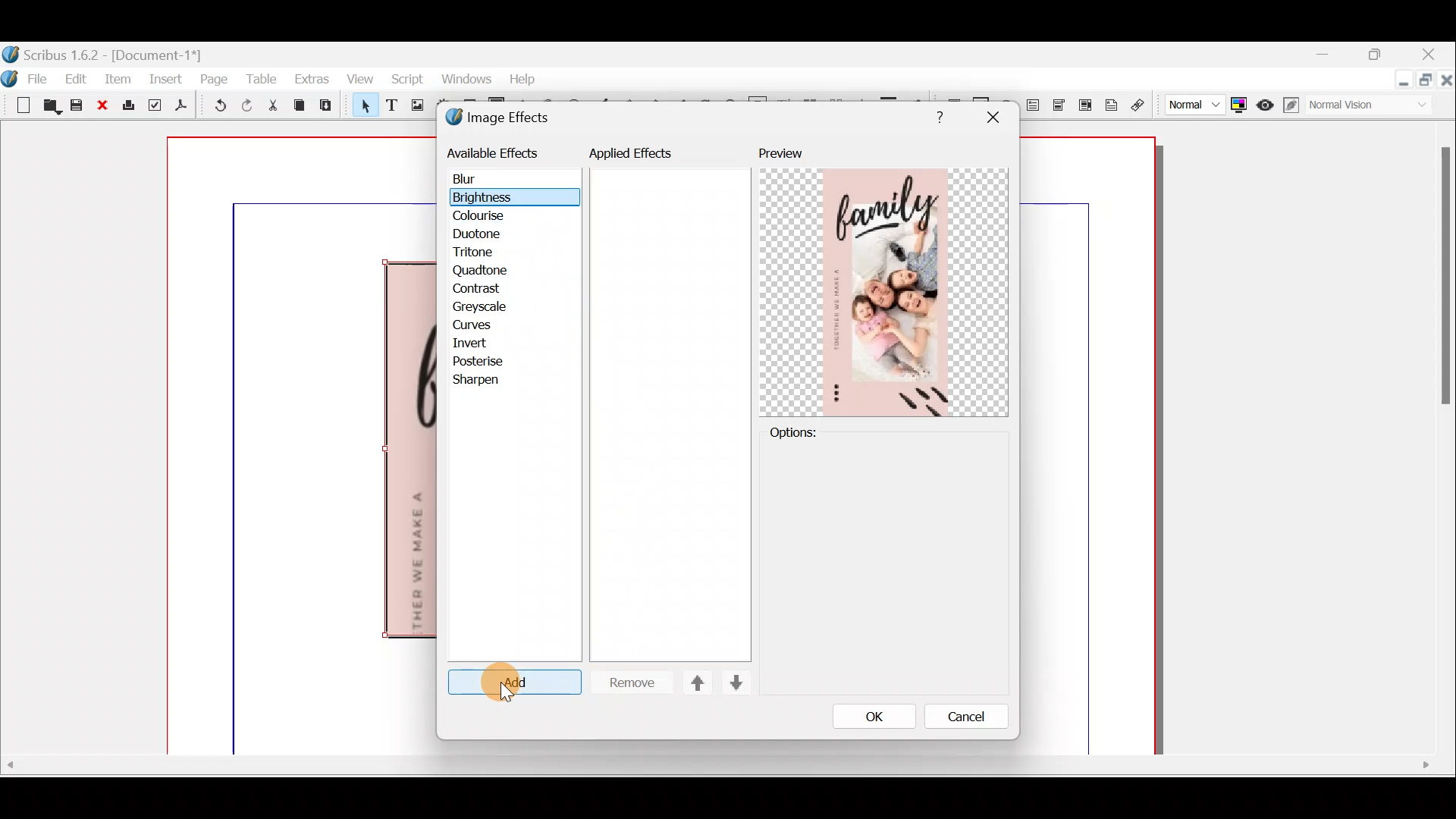 Image resolution: width=1456 pixels, height=819 pixels. What do you see at coordinates (485, 344) in the screenshot?
I see `Invert` at bounding box center [485, 344].